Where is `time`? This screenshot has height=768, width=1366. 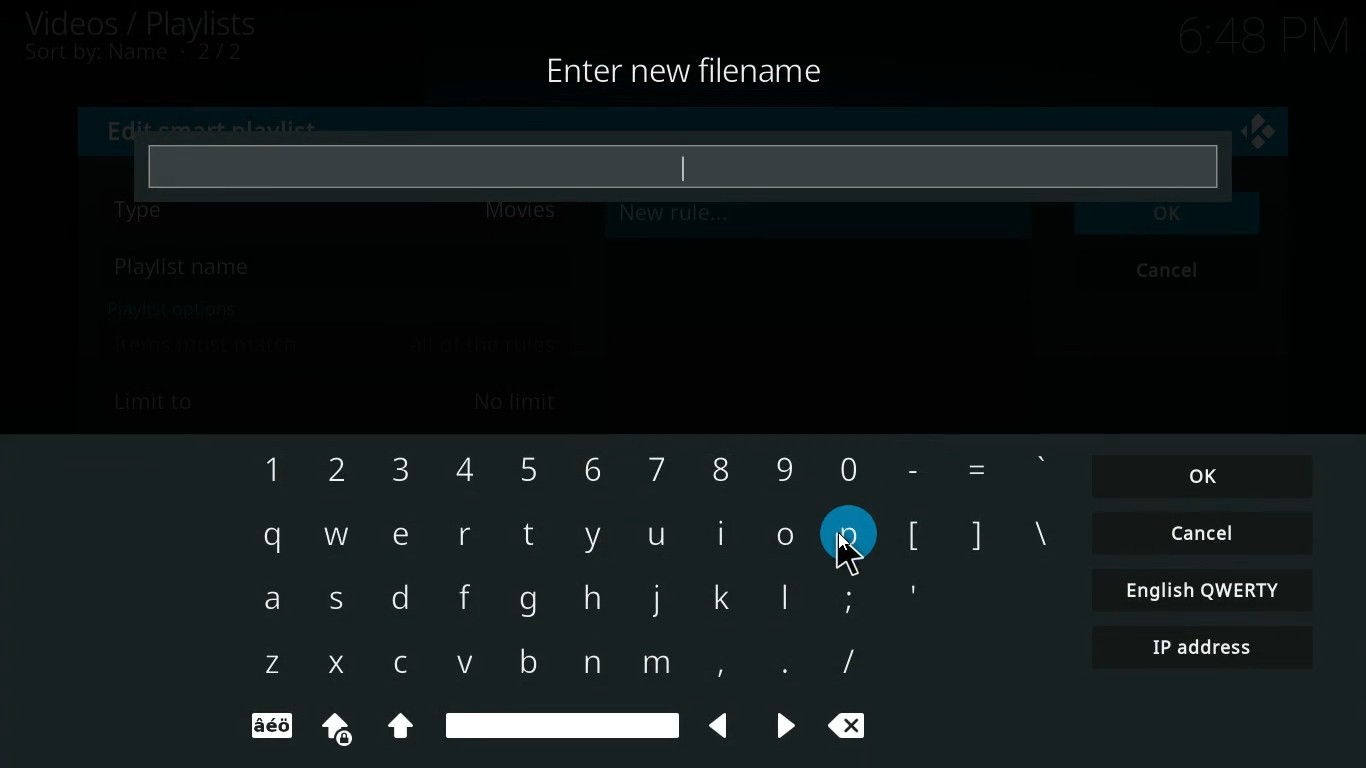 time is located at coordinates (1257, 37).